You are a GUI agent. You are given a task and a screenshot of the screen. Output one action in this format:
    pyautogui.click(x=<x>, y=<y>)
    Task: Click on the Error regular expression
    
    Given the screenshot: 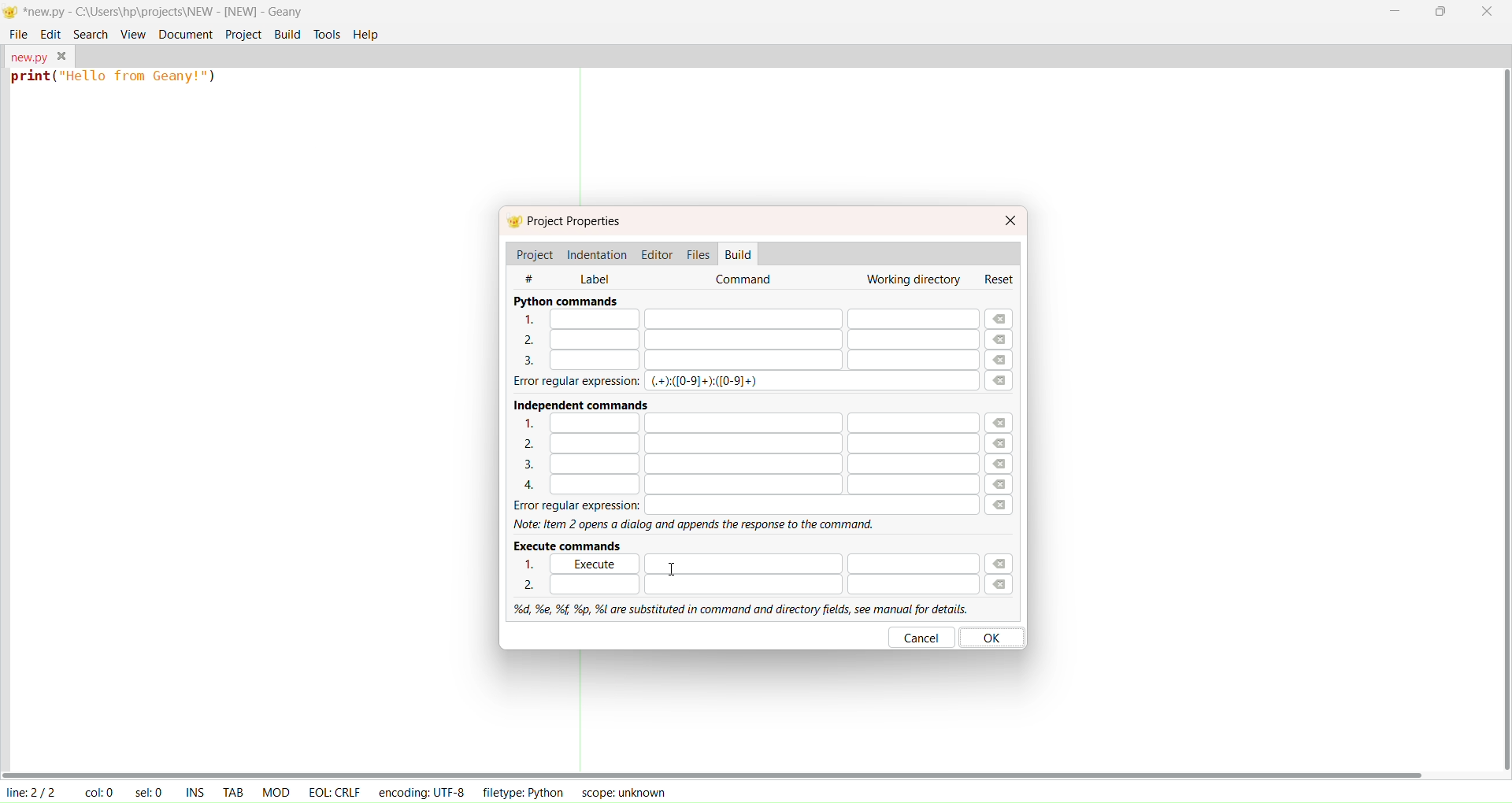 What is the action you would take?
    pyautogui.click(x=564, y=382)
    